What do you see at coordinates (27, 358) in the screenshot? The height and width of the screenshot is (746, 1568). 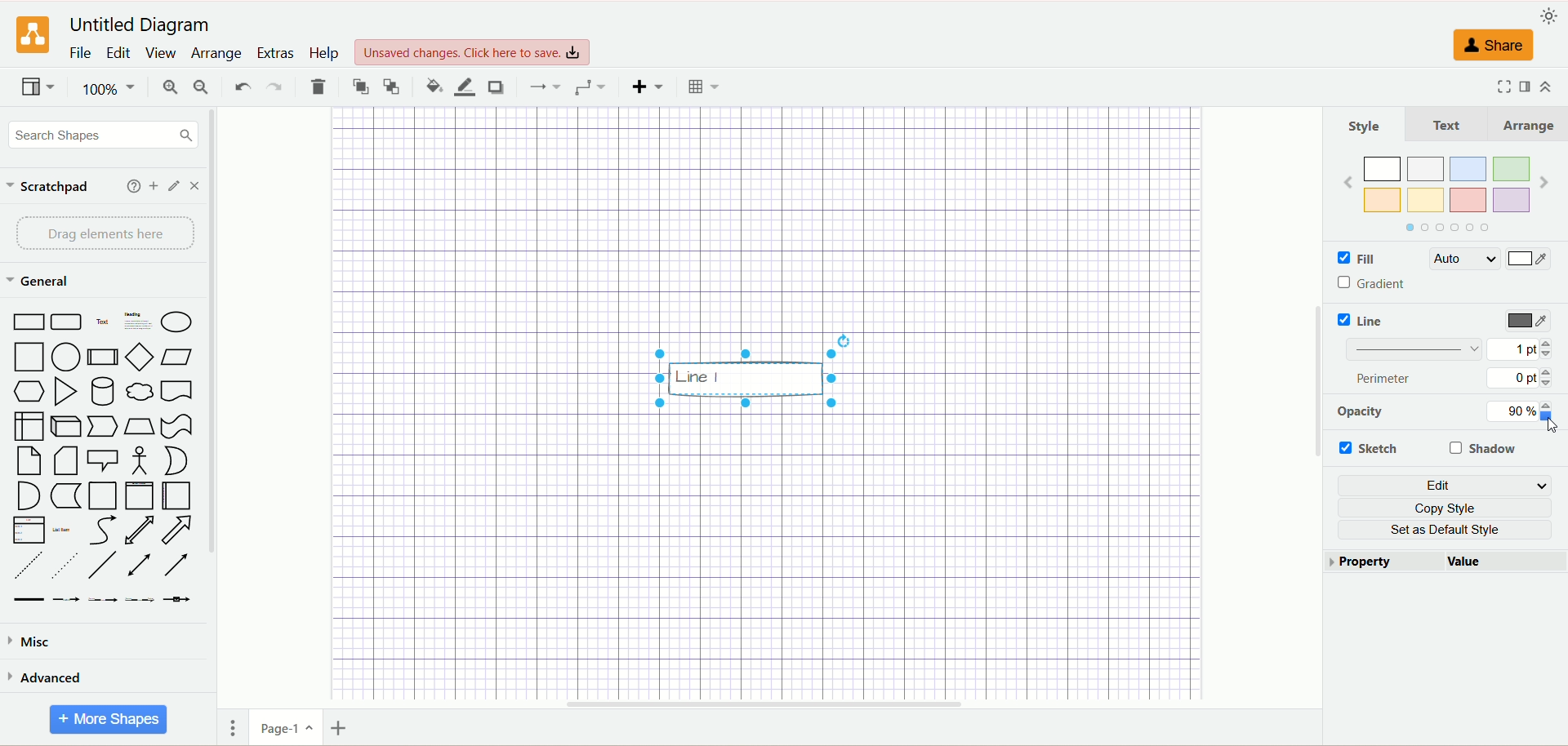 I see `Square` at bounding box center [27, 358].